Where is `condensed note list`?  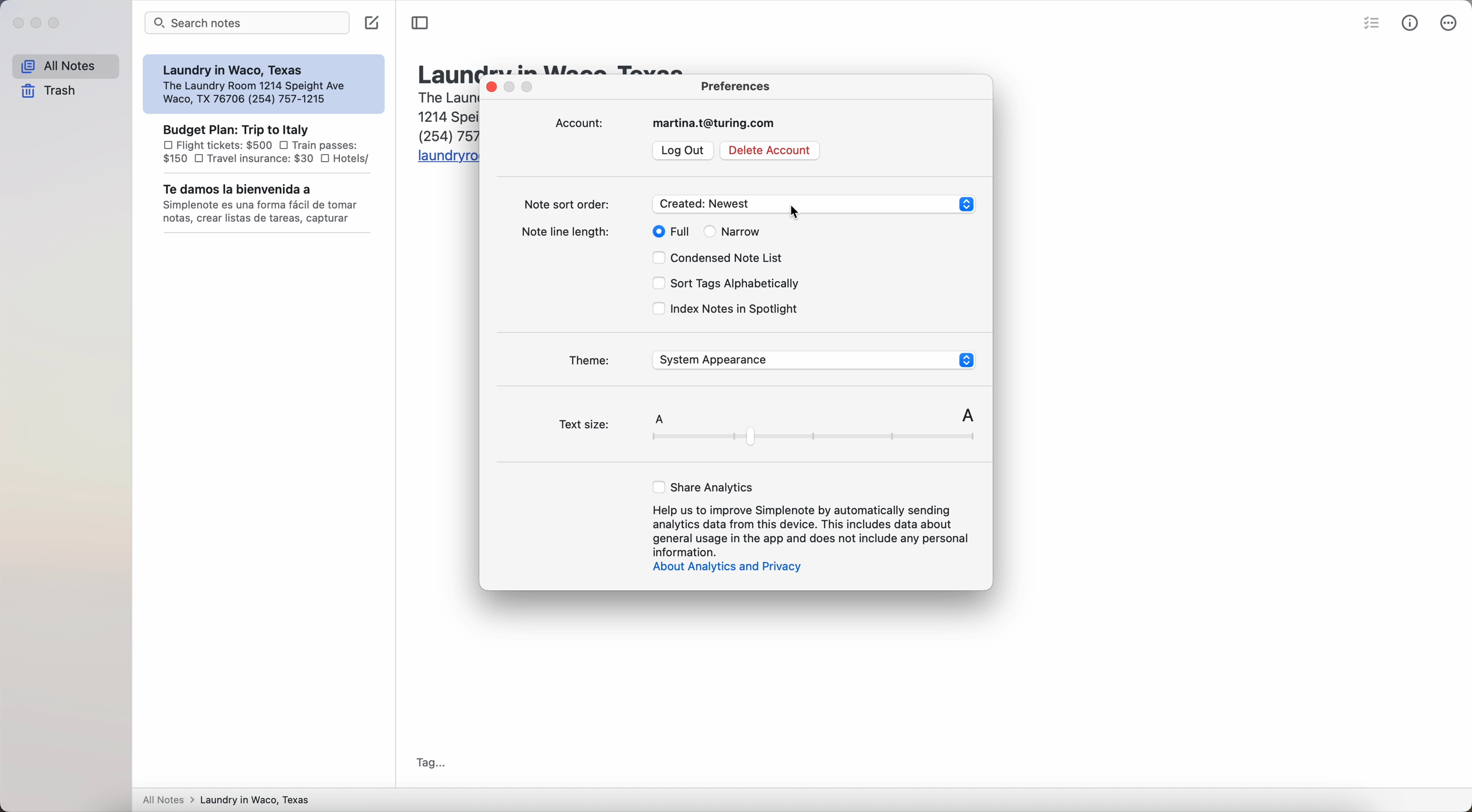
condensed note list is located at coordinates (719, 256).